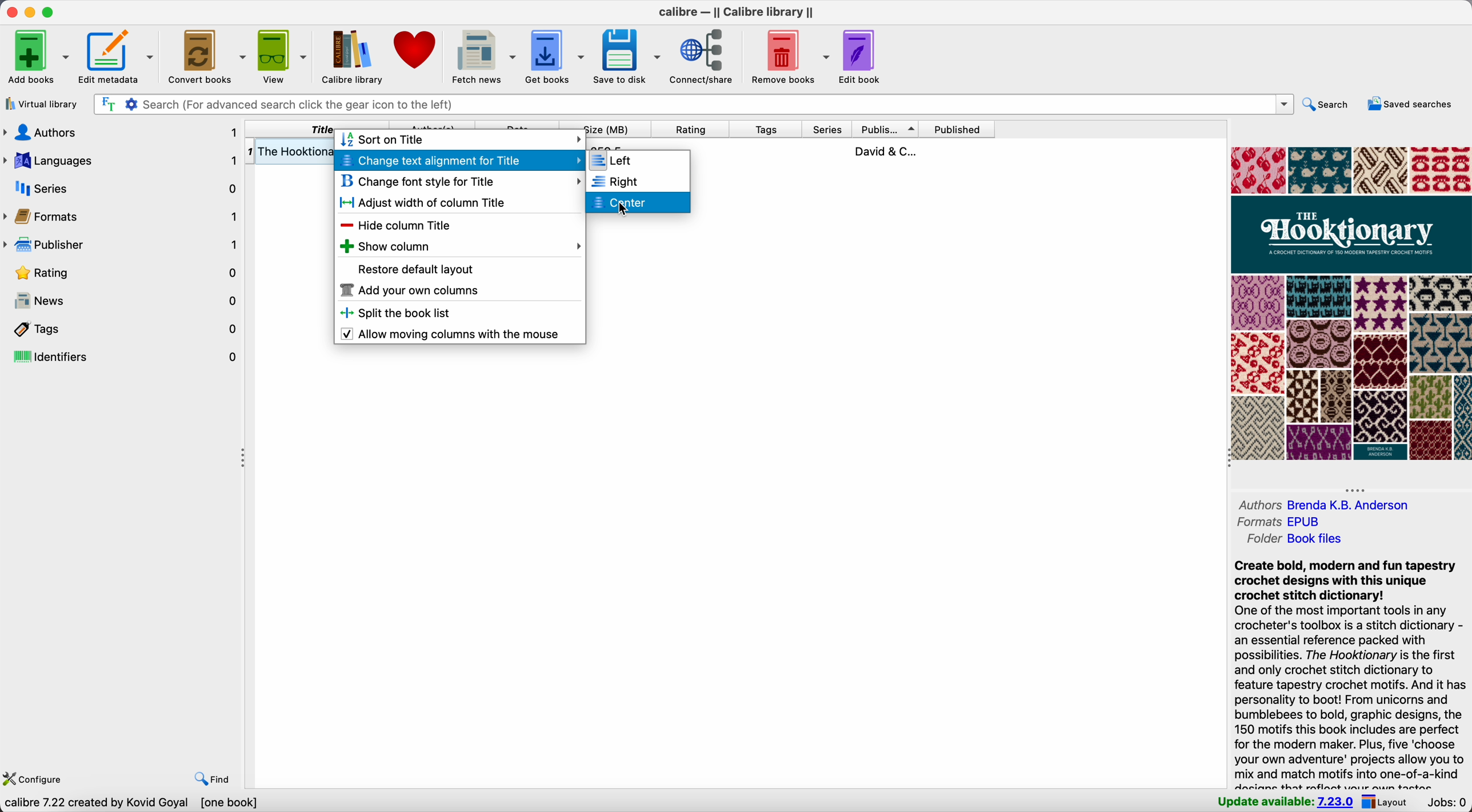  Describe the element at coordinates (638, 202) in the screenshot. I see `click on center` at that location.